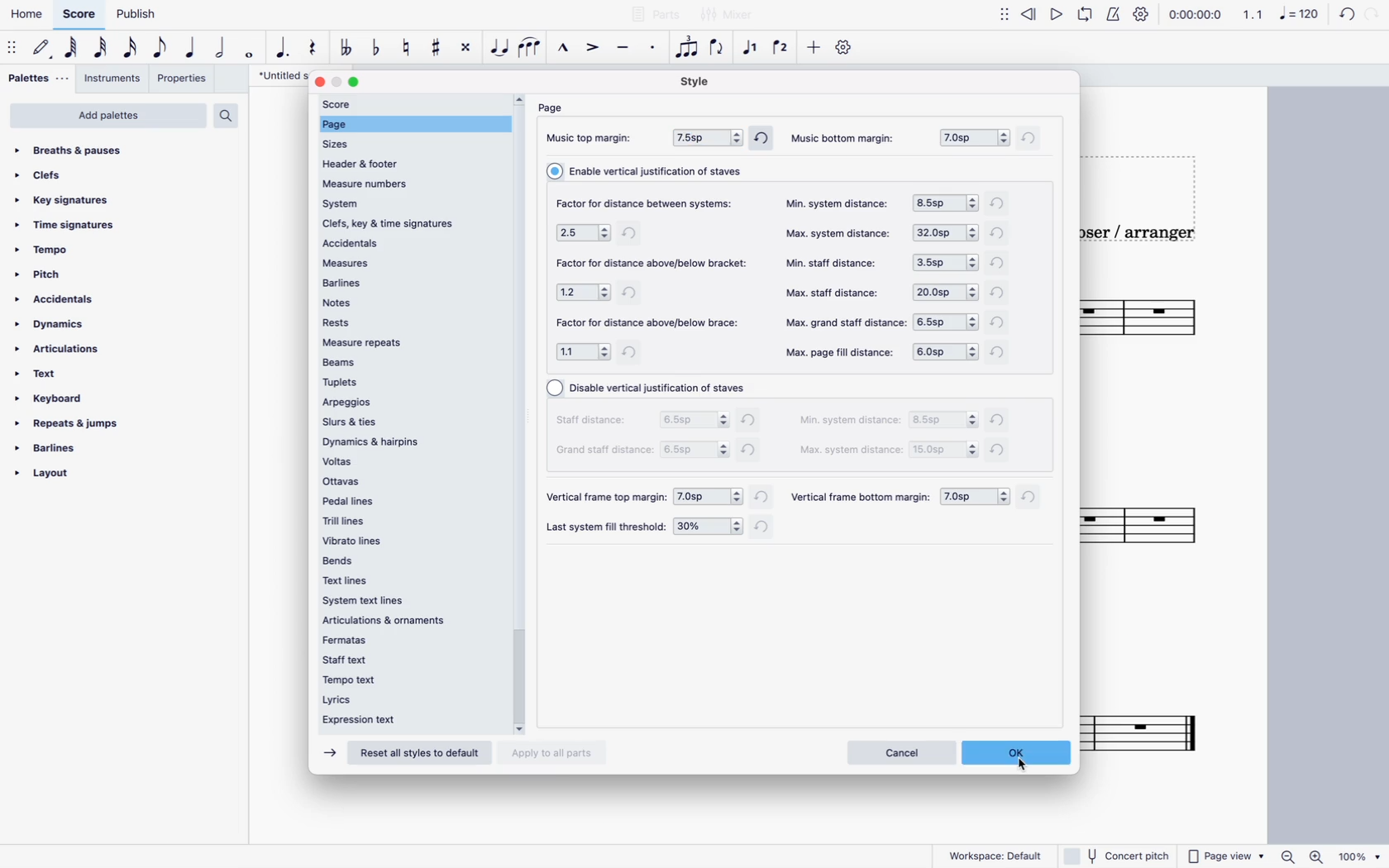  I want to click on score, so click(1167, 321).